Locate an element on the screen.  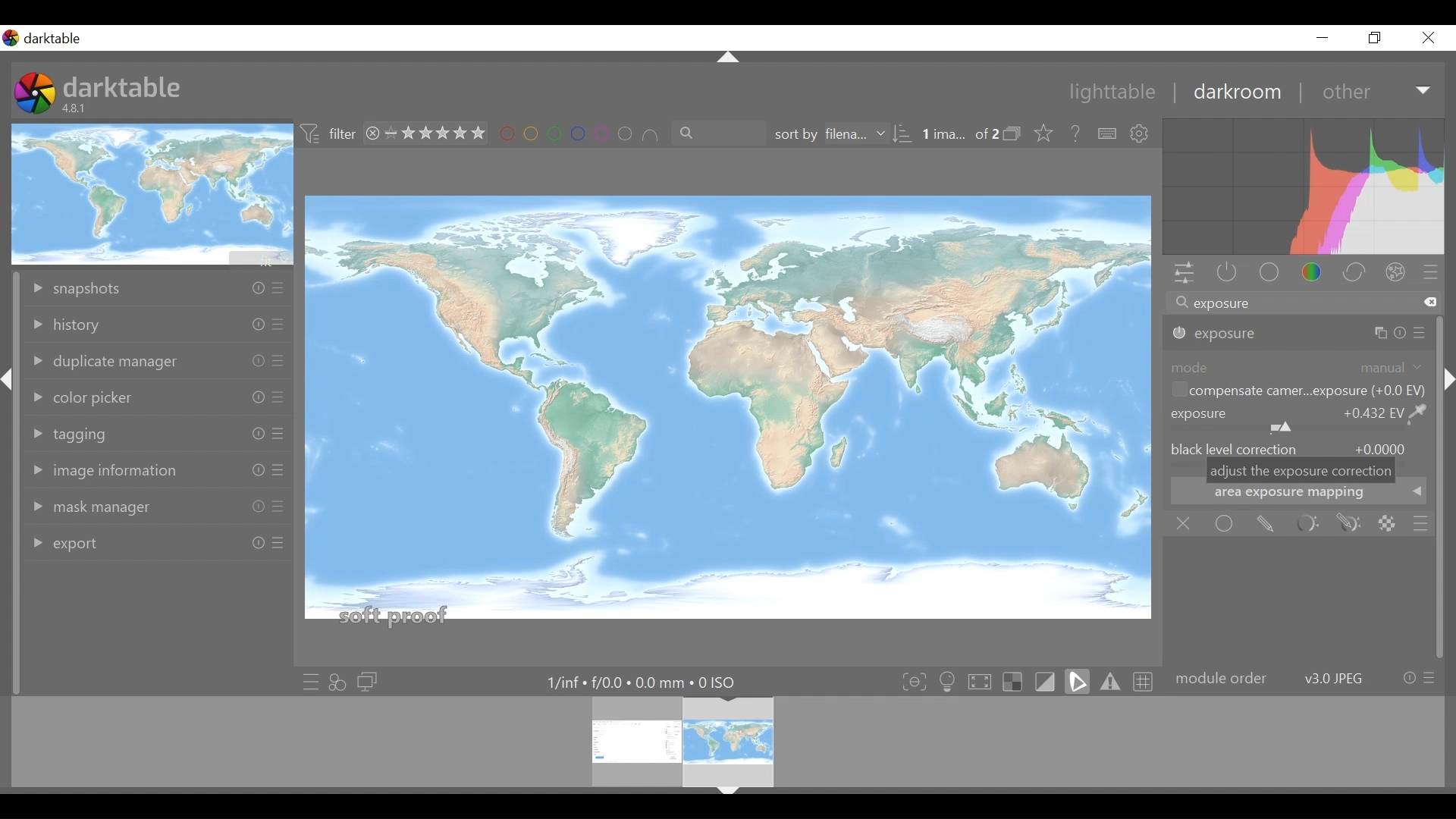
area exposure mapping is located at coordinates (1298, 494).